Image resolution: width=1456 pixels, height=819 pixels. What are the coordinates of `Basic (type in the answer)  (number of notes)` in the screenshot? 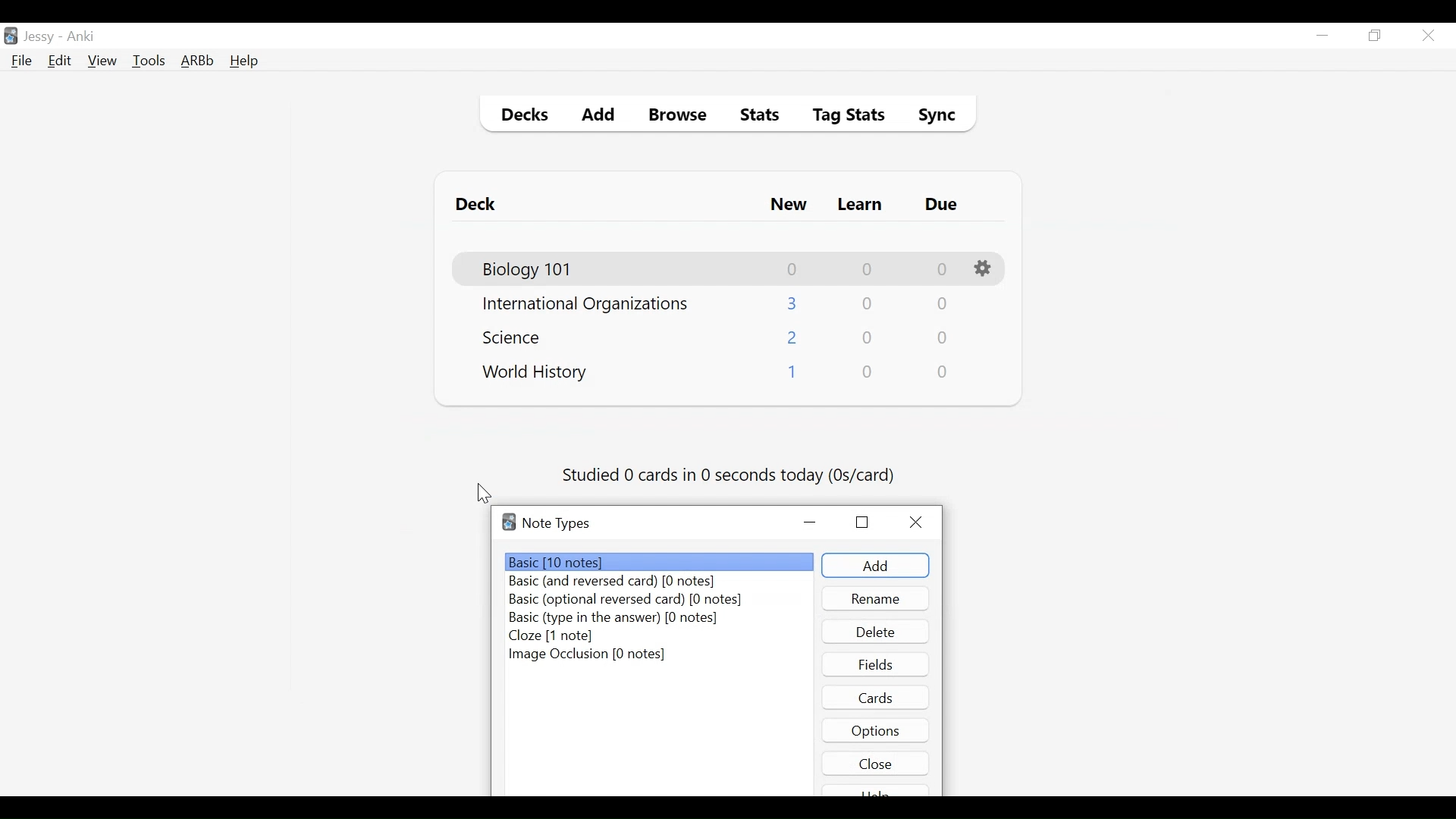 It's located at (613, 619).